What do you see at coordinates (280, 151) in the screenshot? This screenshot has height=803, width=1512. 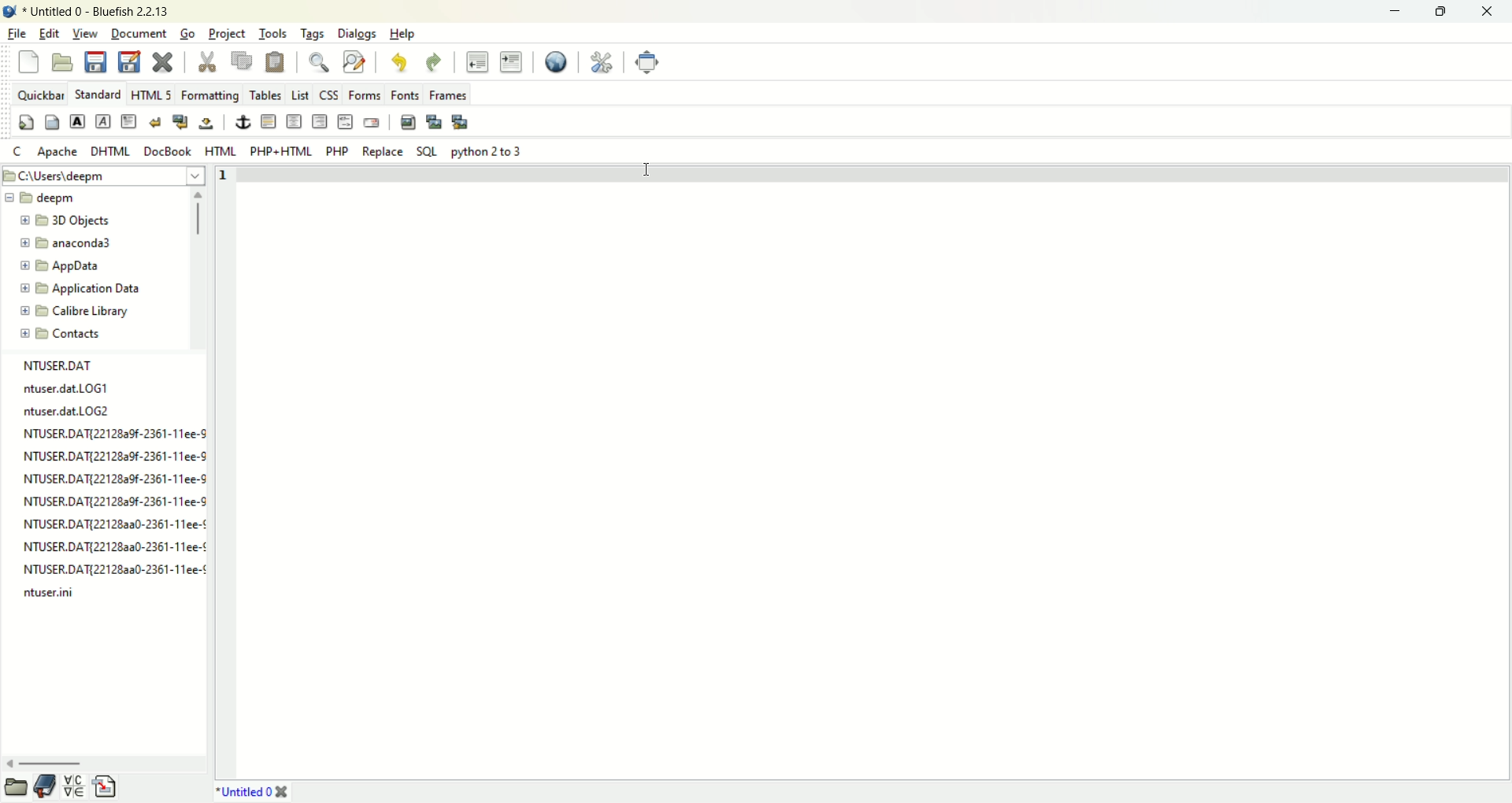 I see `PHP+HTML` at bounding box center [280, 151].